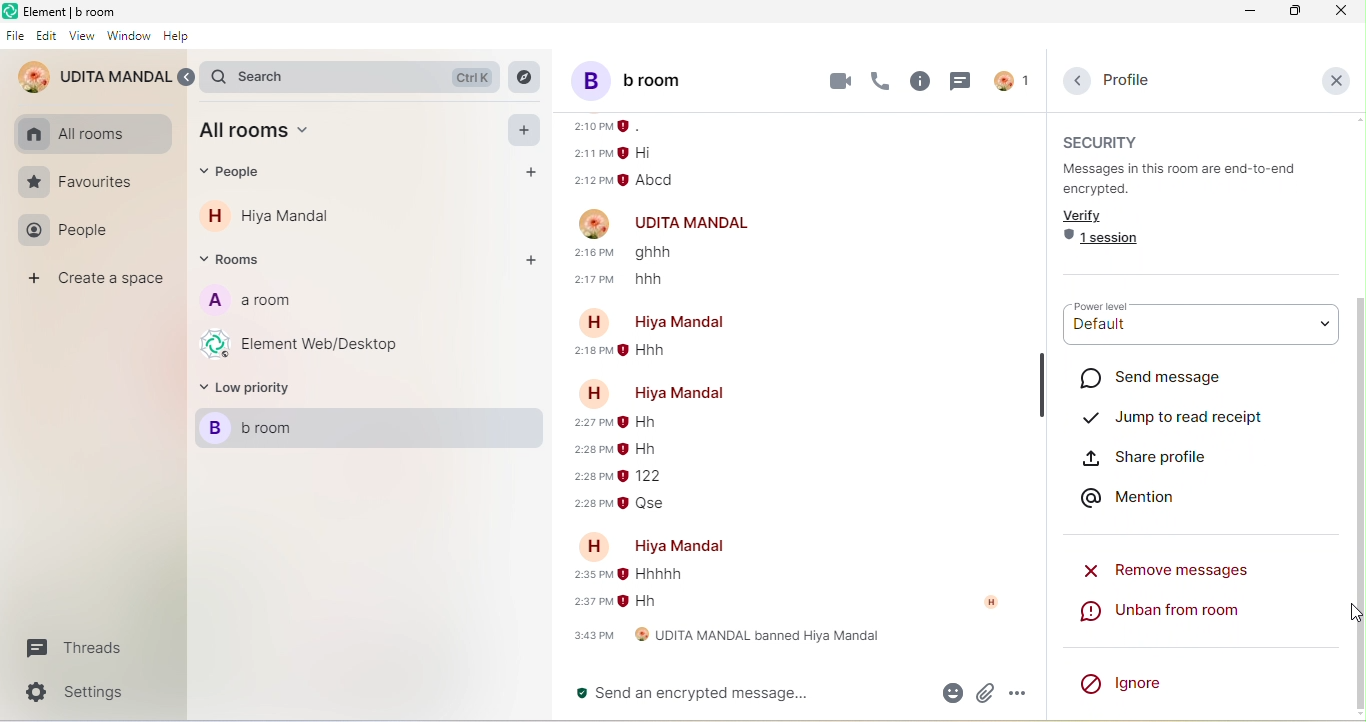 Image resolution: width=1366 pixels, height=722 pixels. I want to click on element web/desktop, so click(306, 343).